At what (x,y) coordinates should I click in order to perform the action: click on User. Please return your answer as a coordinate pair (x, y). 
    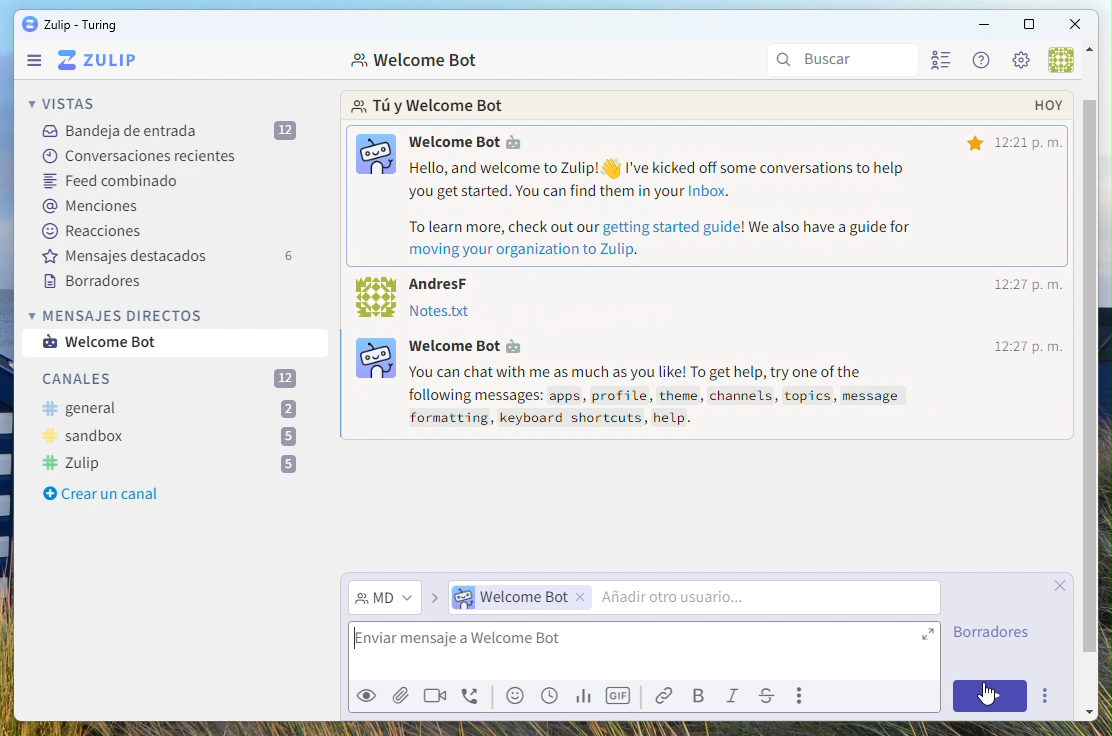
    Looking at the image, I should click on (1060, 61).